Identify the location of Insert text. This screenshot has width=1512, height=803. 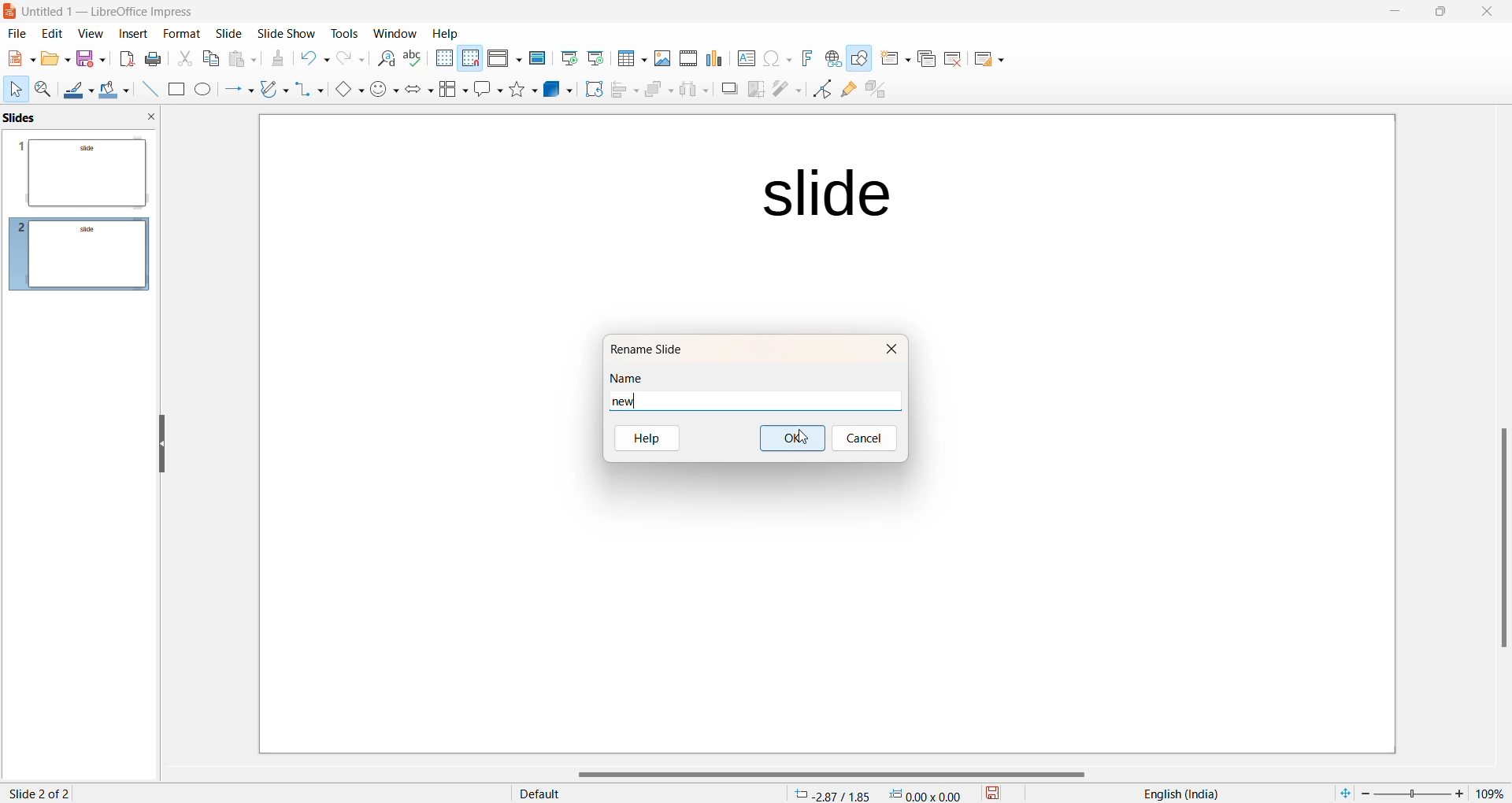
(740, 57).